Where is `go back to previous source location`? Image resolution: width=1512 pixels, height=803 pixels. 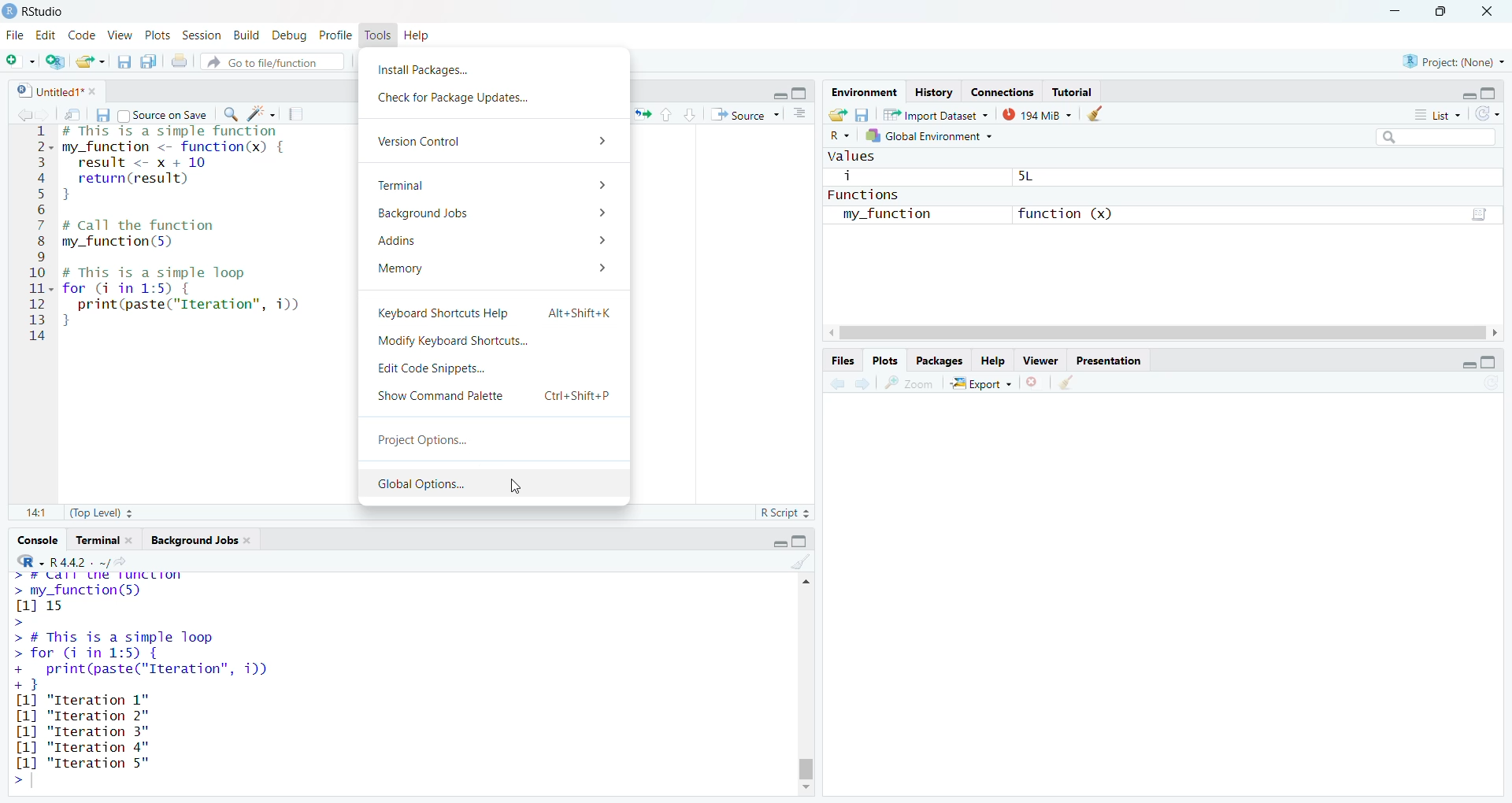
go back to previous source location is located at coordinates (17, 113).